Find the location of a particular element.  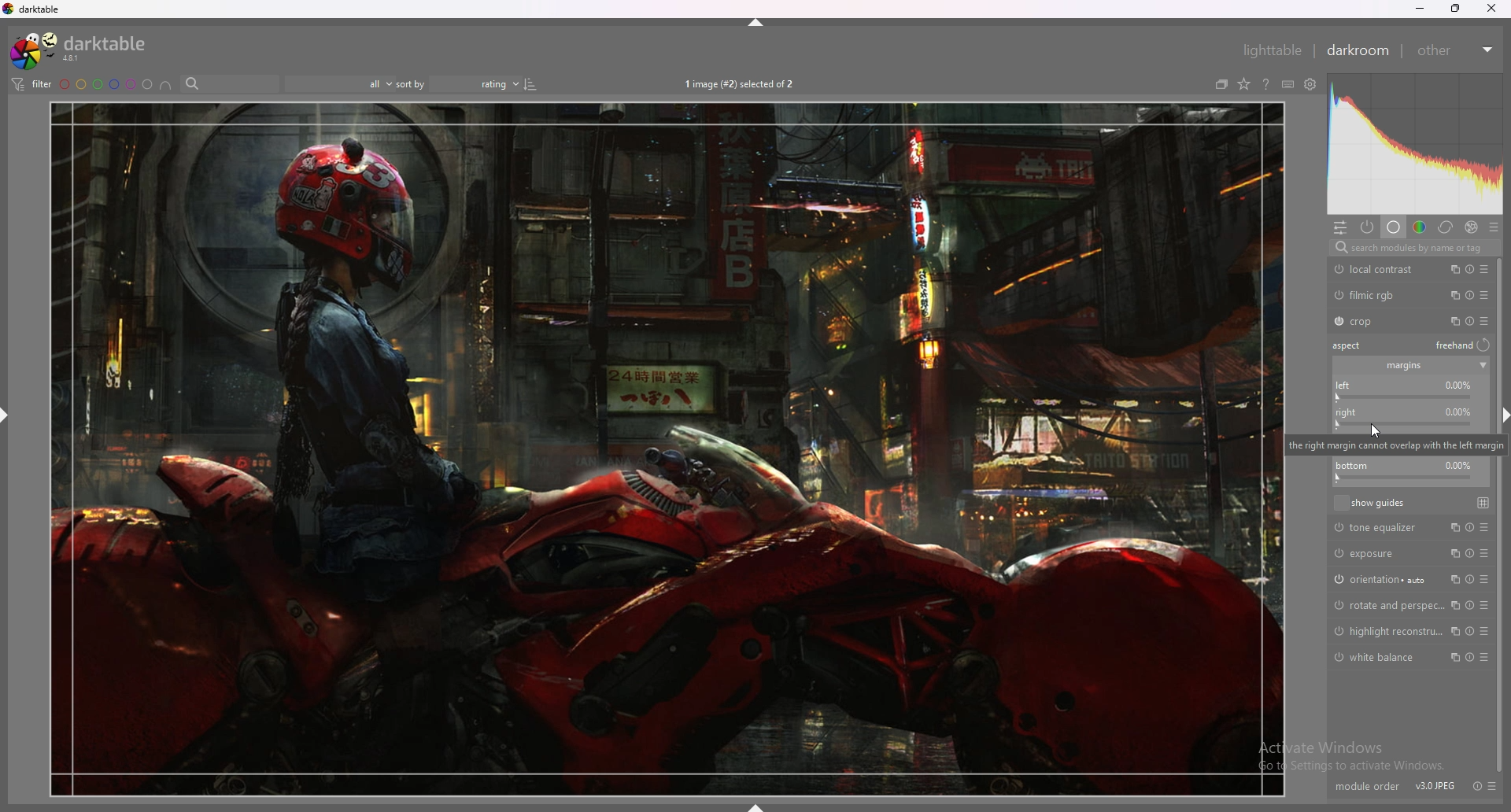

module order is located at coordinates (1364, 781).